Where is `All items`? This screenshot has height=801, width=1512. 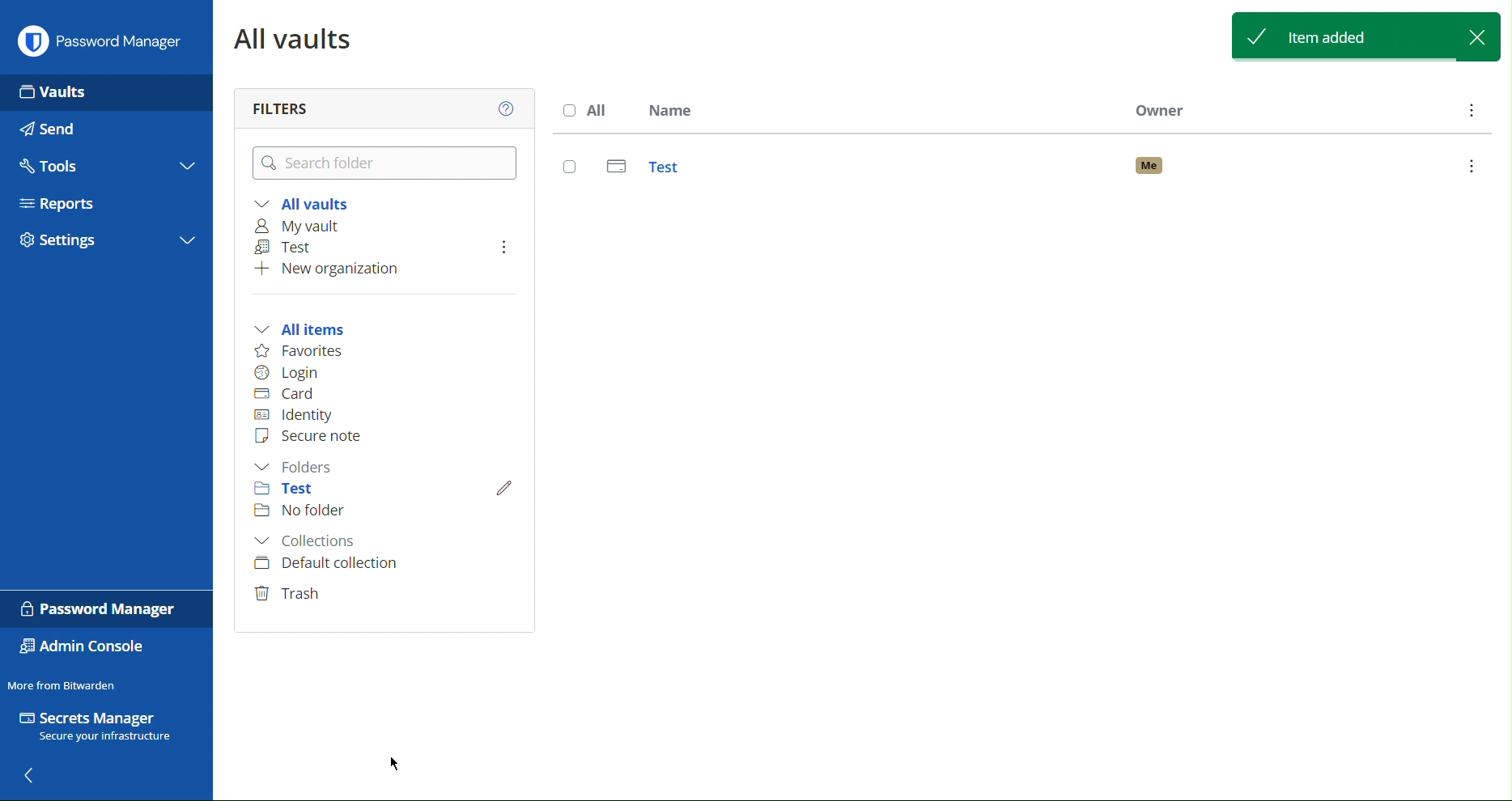 All items is located at coordinates (308, 328).